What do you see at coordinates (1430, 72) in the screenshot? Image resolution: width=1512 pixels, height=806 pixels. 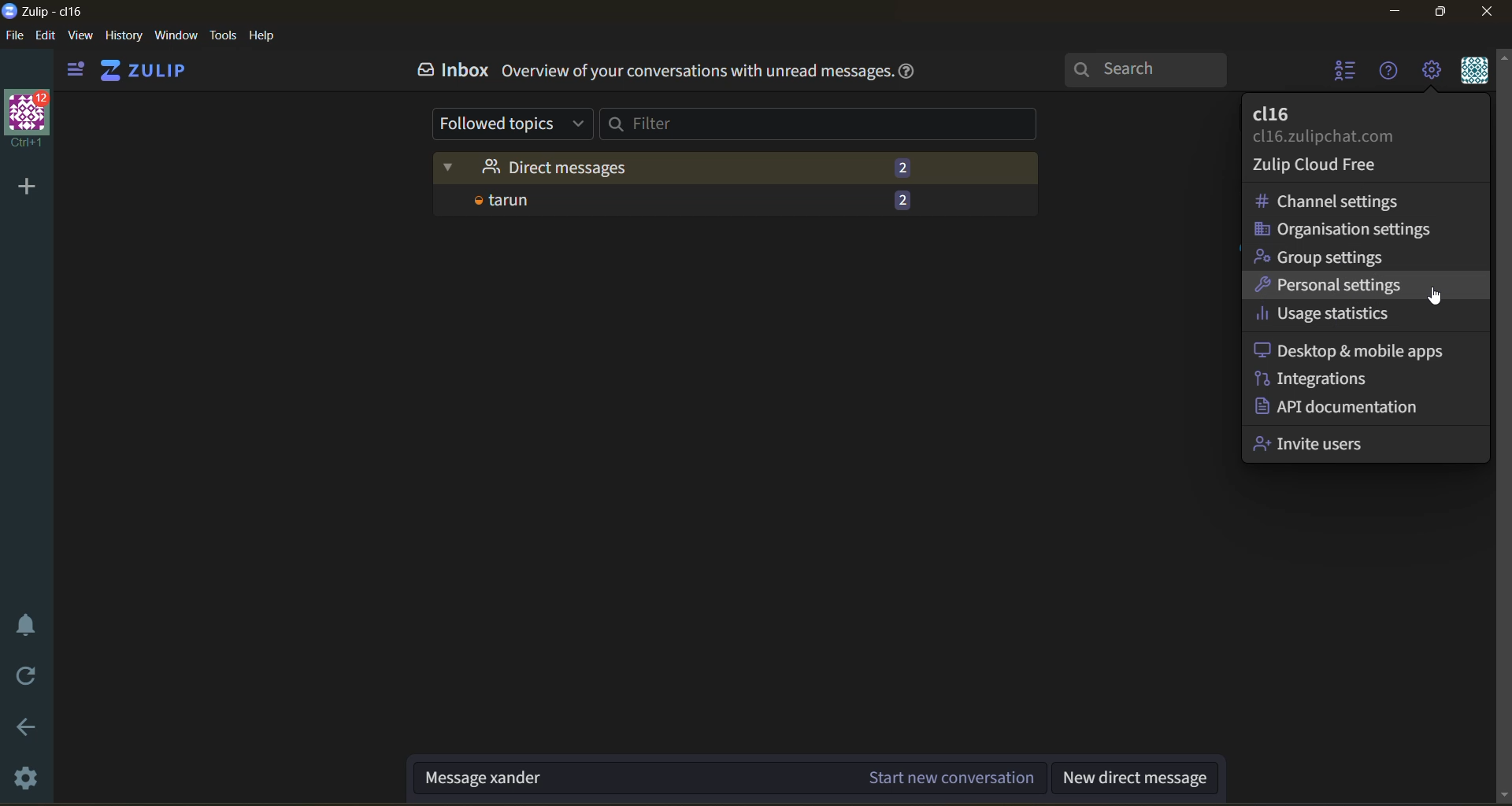 I see `setting` at bounding box center [1430, 72].